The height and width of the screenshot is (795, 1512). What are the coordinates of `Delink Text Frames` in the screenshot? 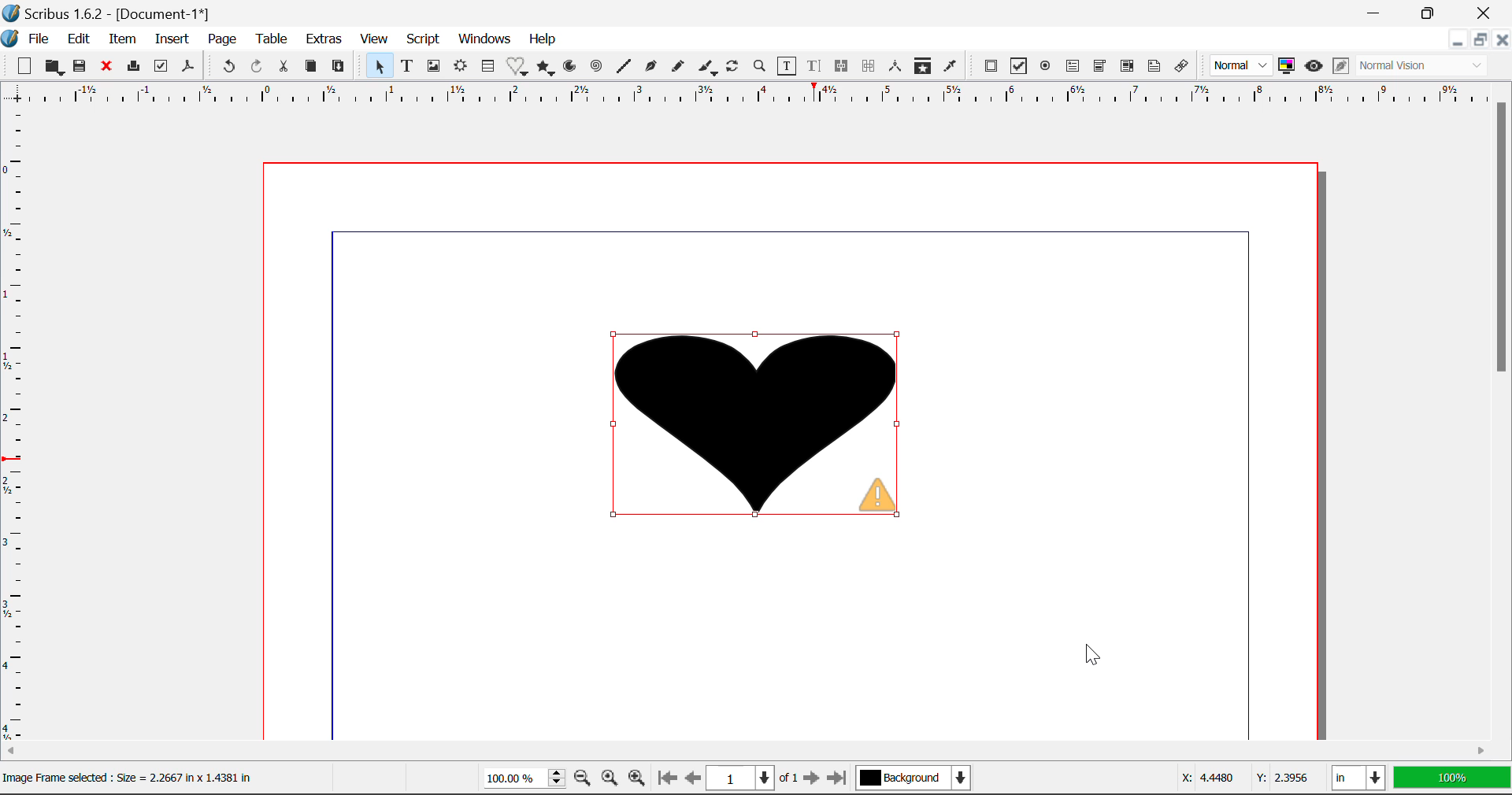 It's located at (870, 66).